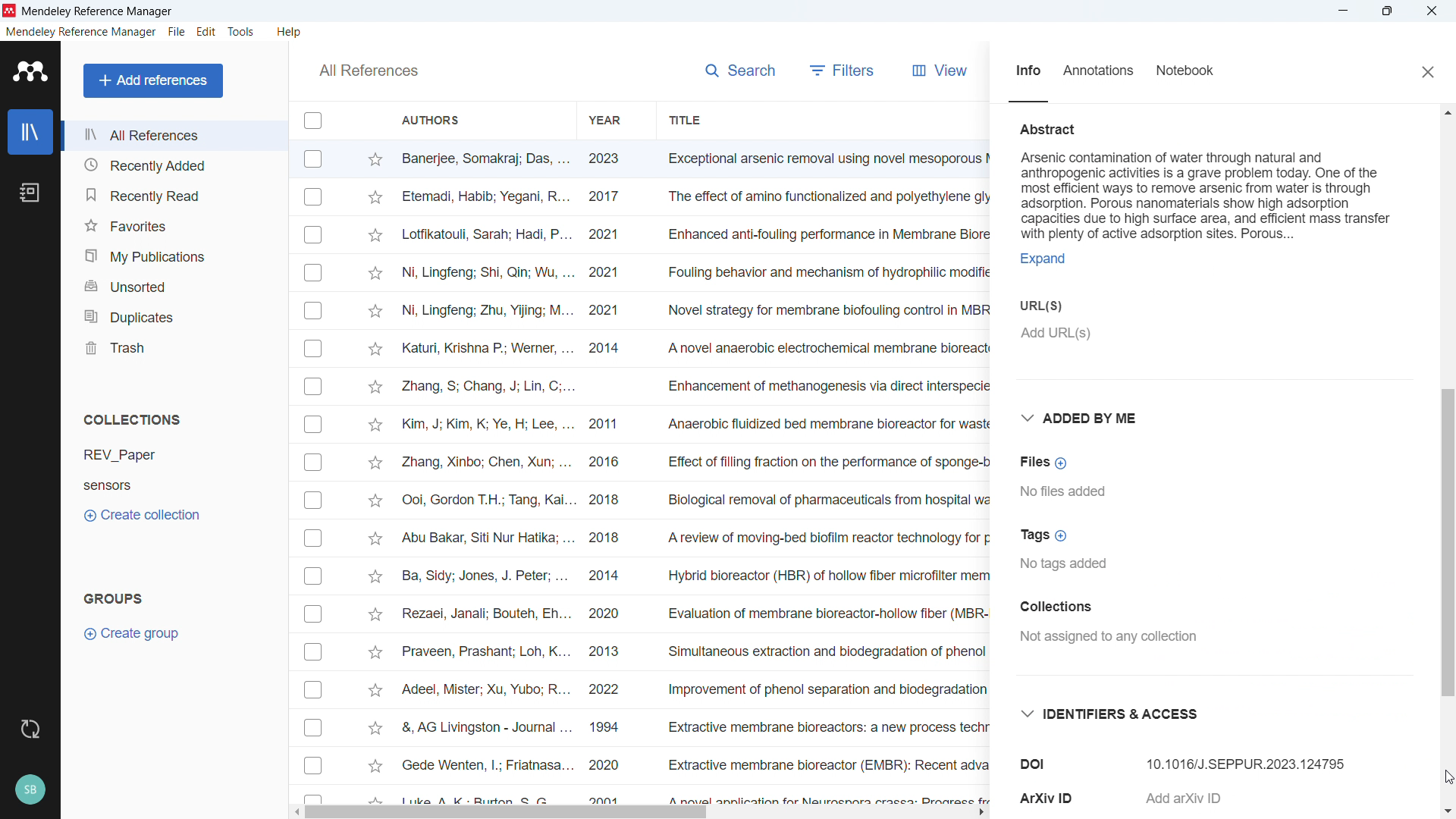 The height and width of the screenshot is (819, 1456). Describe the element at coordinates (605, 121) in the screenshot. I see `Sort by year ` at that location.